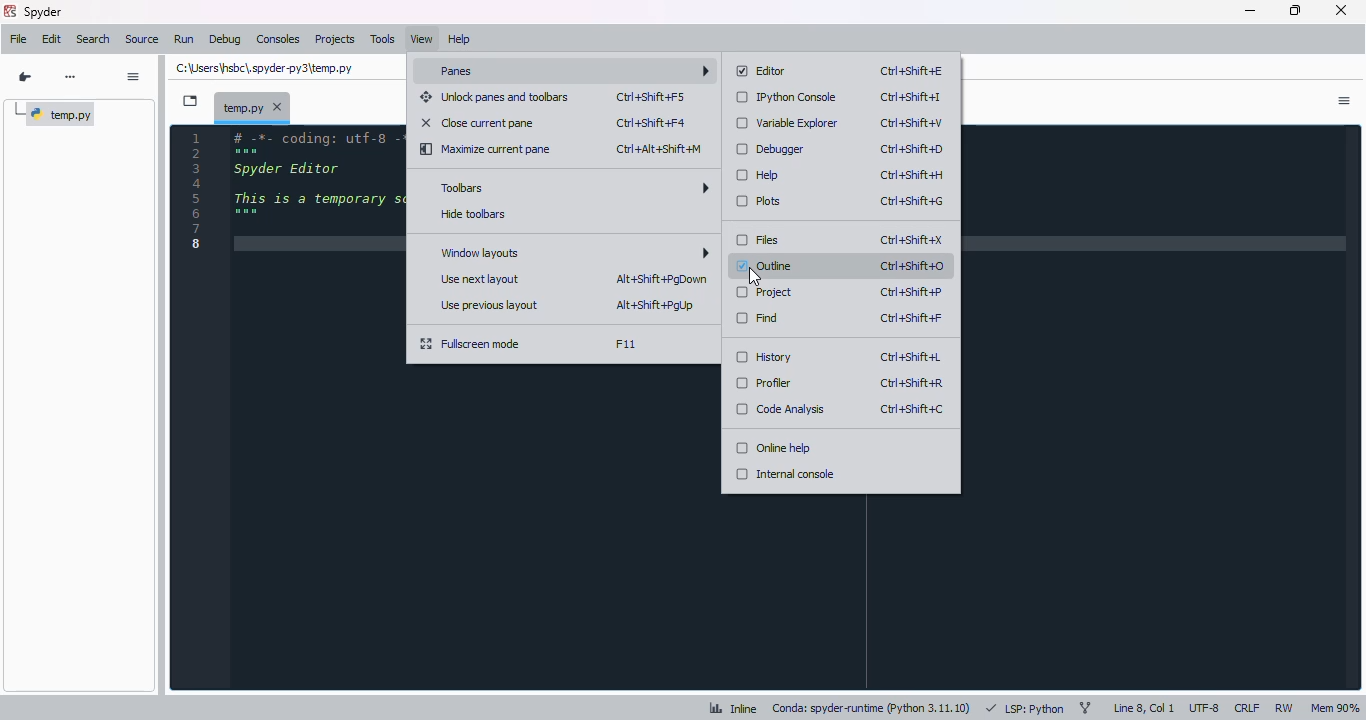  Describe the element at coordinates (770, 149) in the screenshot. I see `debugger` at that location.